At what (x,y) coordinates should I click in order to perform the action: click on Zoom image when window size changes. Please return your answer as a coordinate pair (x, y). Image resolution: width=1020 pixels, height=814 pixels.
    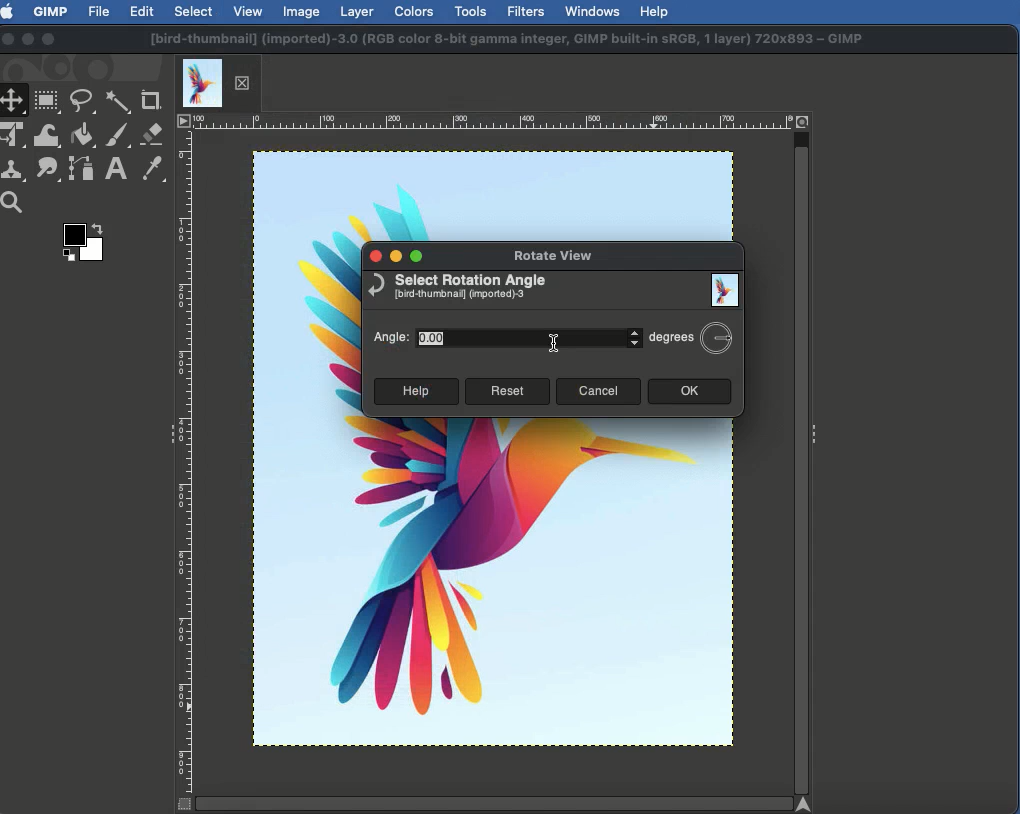
    Looking at the image, I should click on (804, 120).